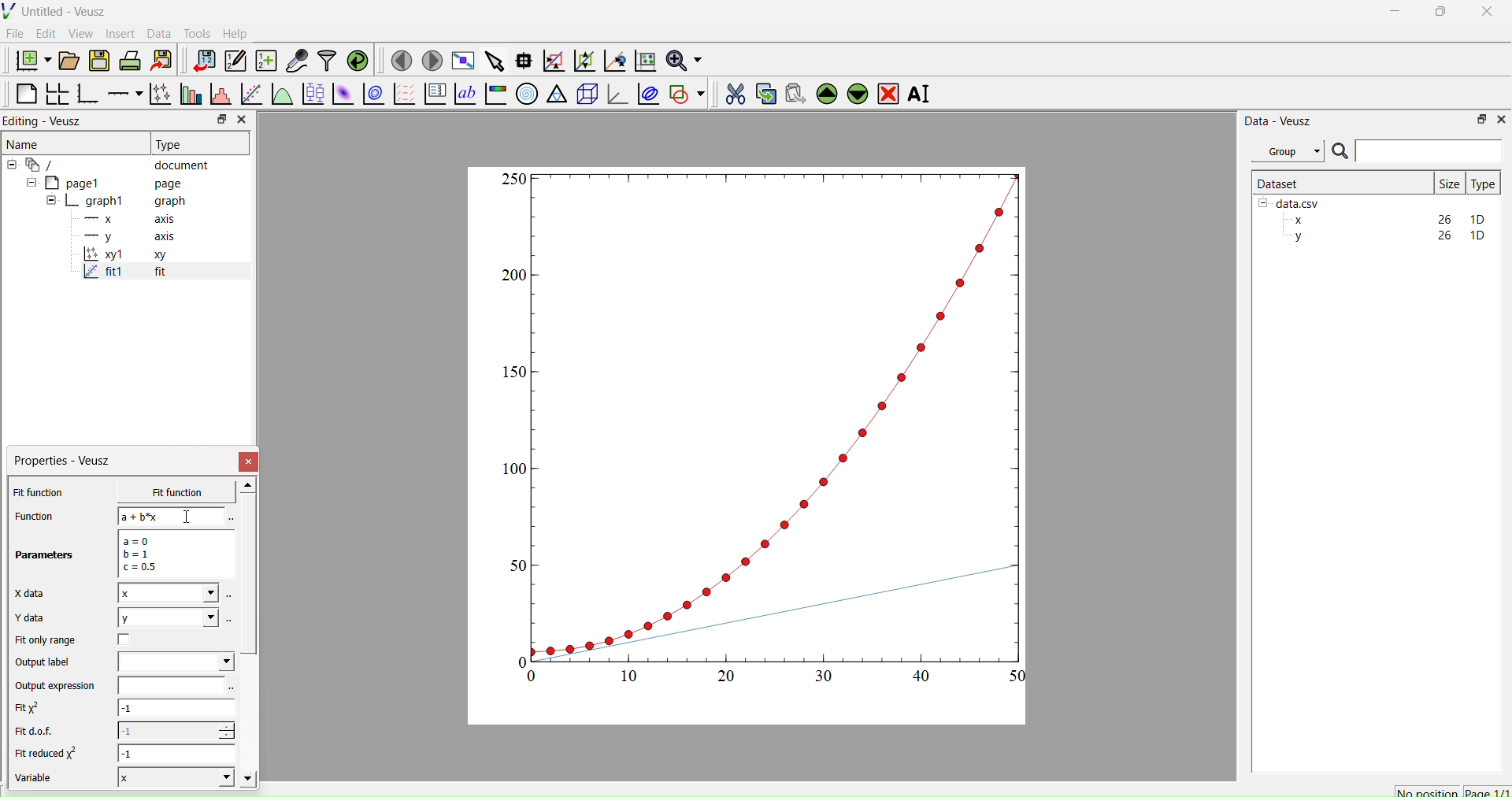 The height and width of the screenshot is (797, 1512). Describe the element at coordinates (527, 94) in the screenshot. I see `Polar Graph` at that location.